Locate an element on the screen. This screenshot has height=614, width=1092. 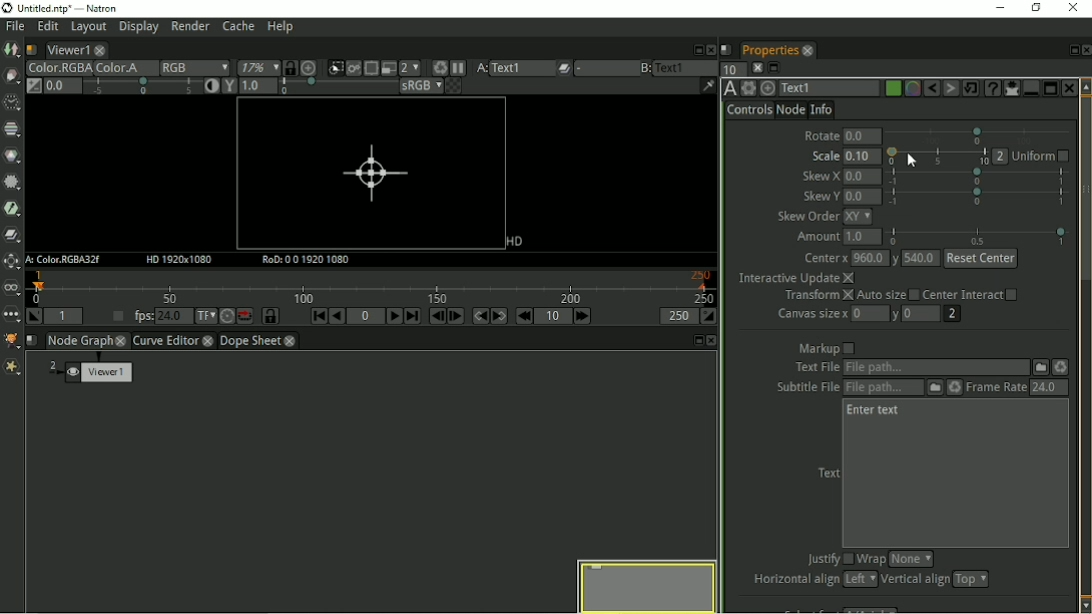
Draw is located at coordinates (11, 76).